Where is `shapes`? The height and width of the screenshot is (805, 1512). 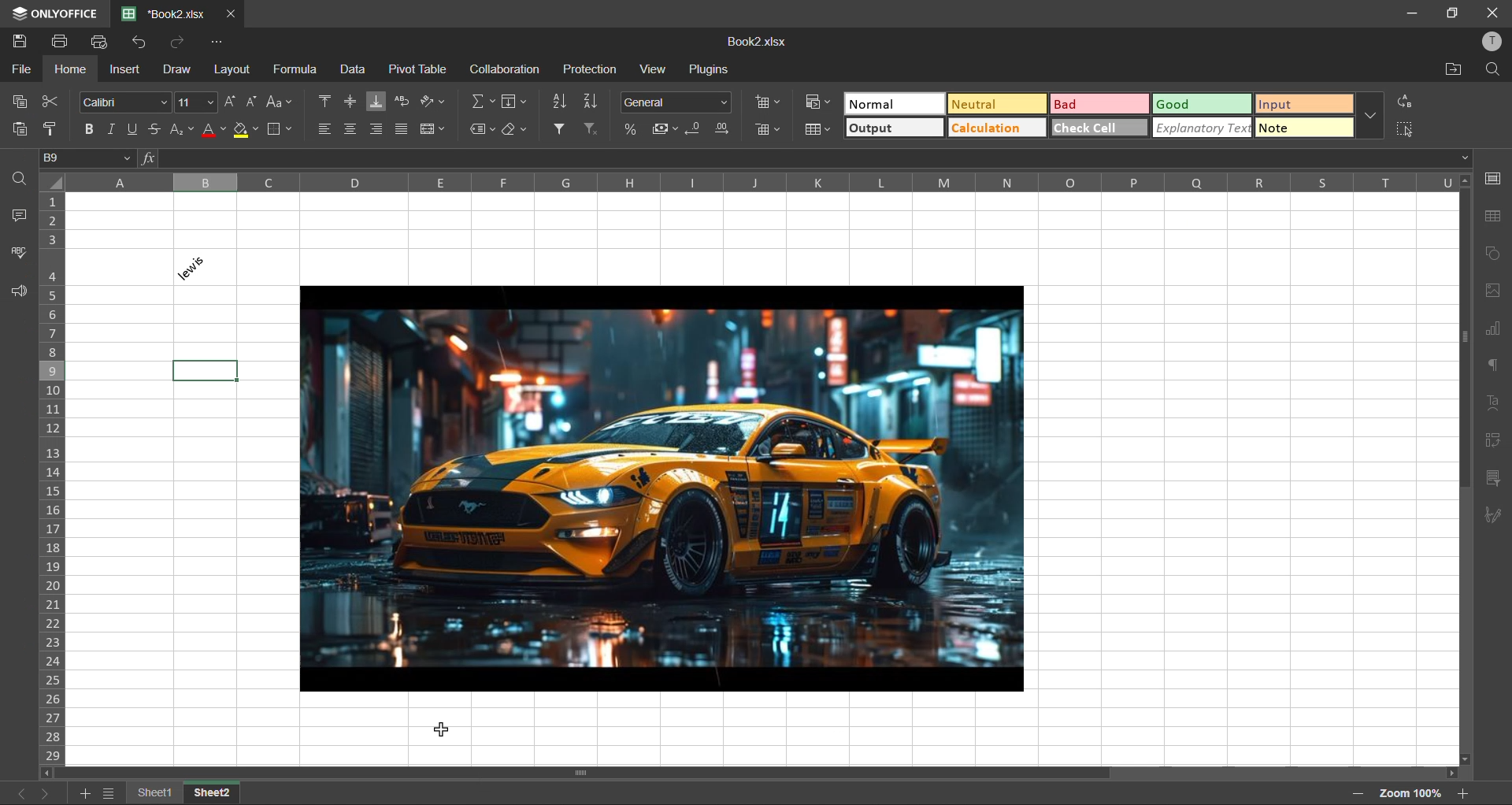 shapes is located at coordinates (1492, 252).